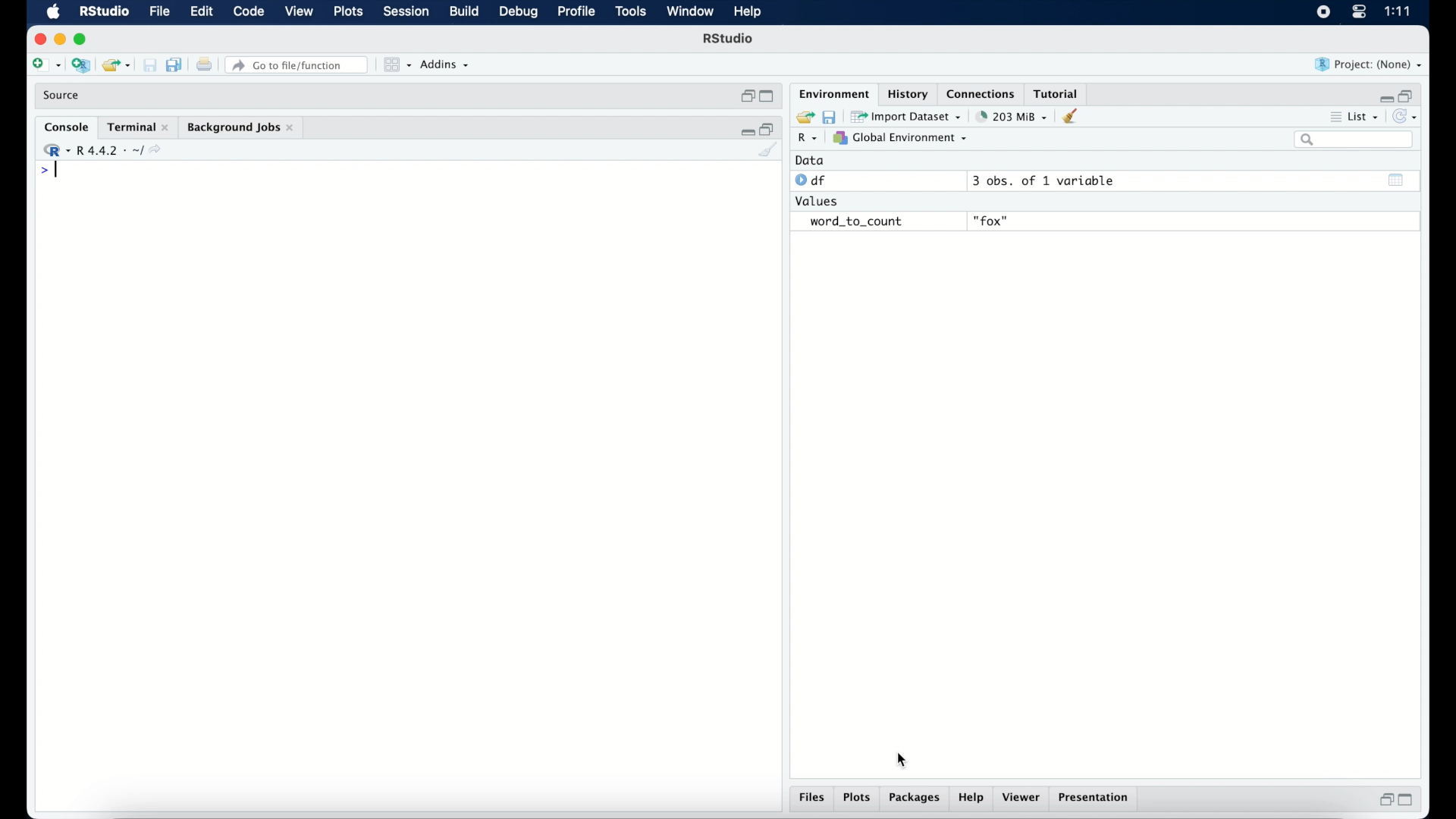 Image resolution: width=1456 pixels, height=819 pixels. Describe the element at coordinates (1356, 118) in the screenshot. I see `list` at that location.